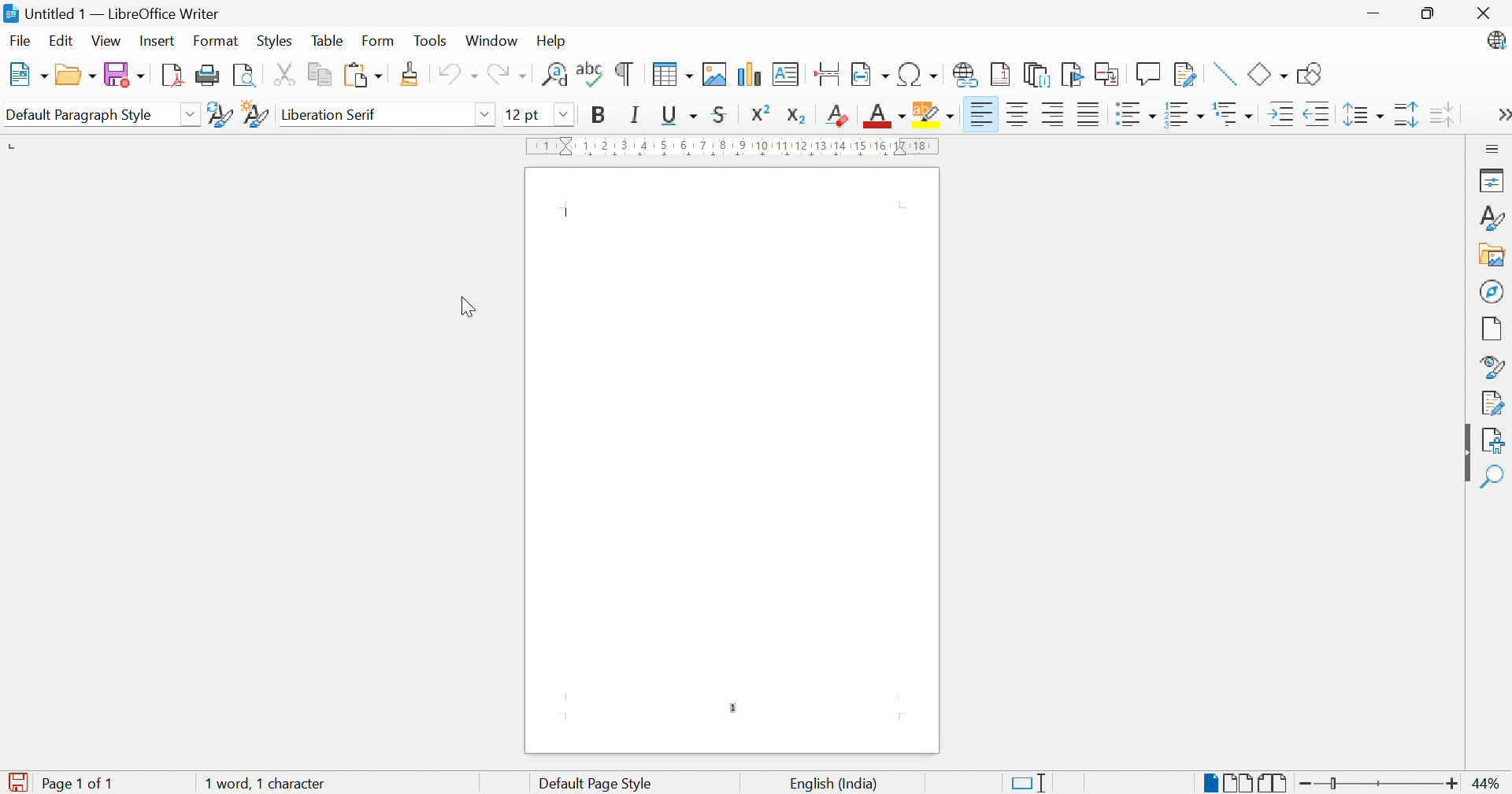 Image resolution: width=1512 pixels, height=794 pixels. Describe the element at coordinates (1037, 76) in the screenshot. I see `Insert endnote` at that location.